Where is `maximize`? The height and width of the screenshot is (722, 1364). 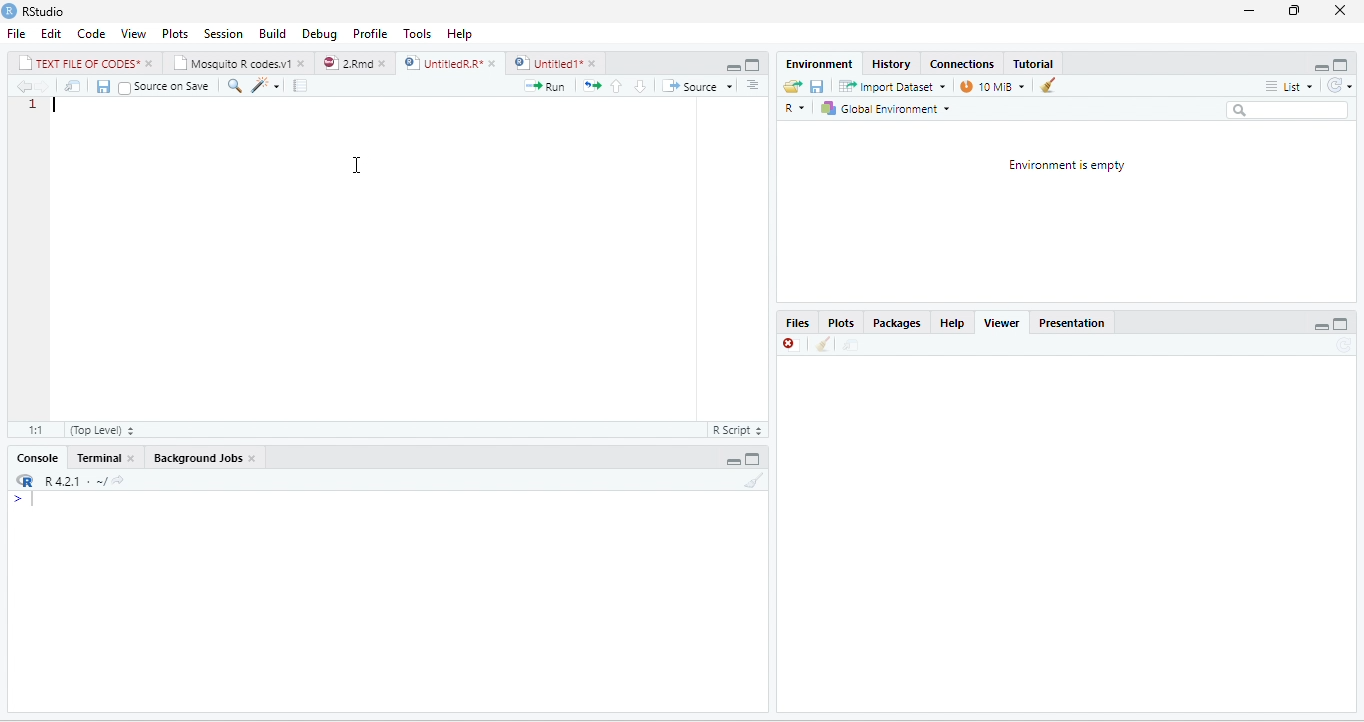
maximize is located at coordinates (754, 457).